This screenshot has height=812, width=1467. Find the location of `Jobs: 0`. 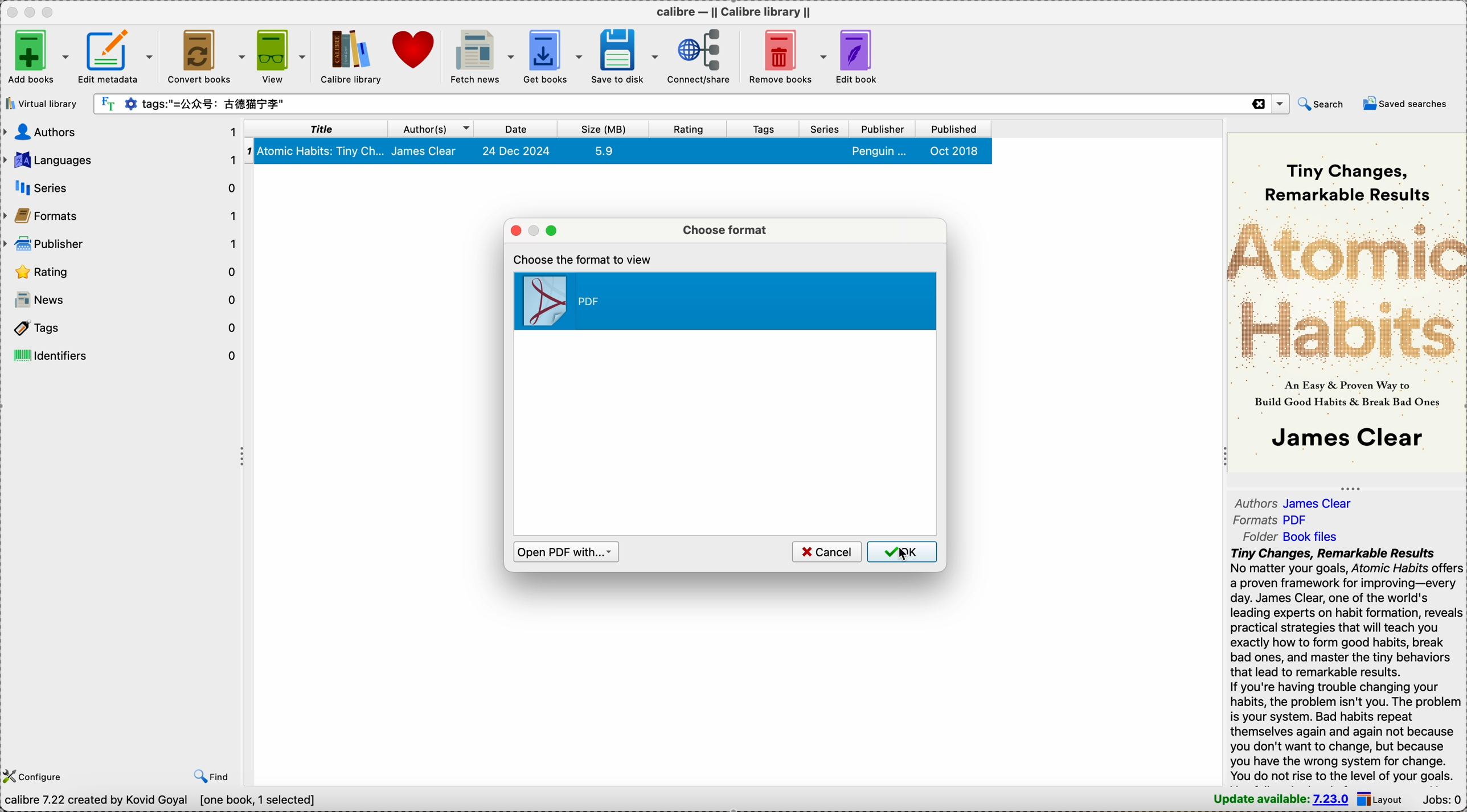

Jobs: 0 is located at coordinates (1441, 799).